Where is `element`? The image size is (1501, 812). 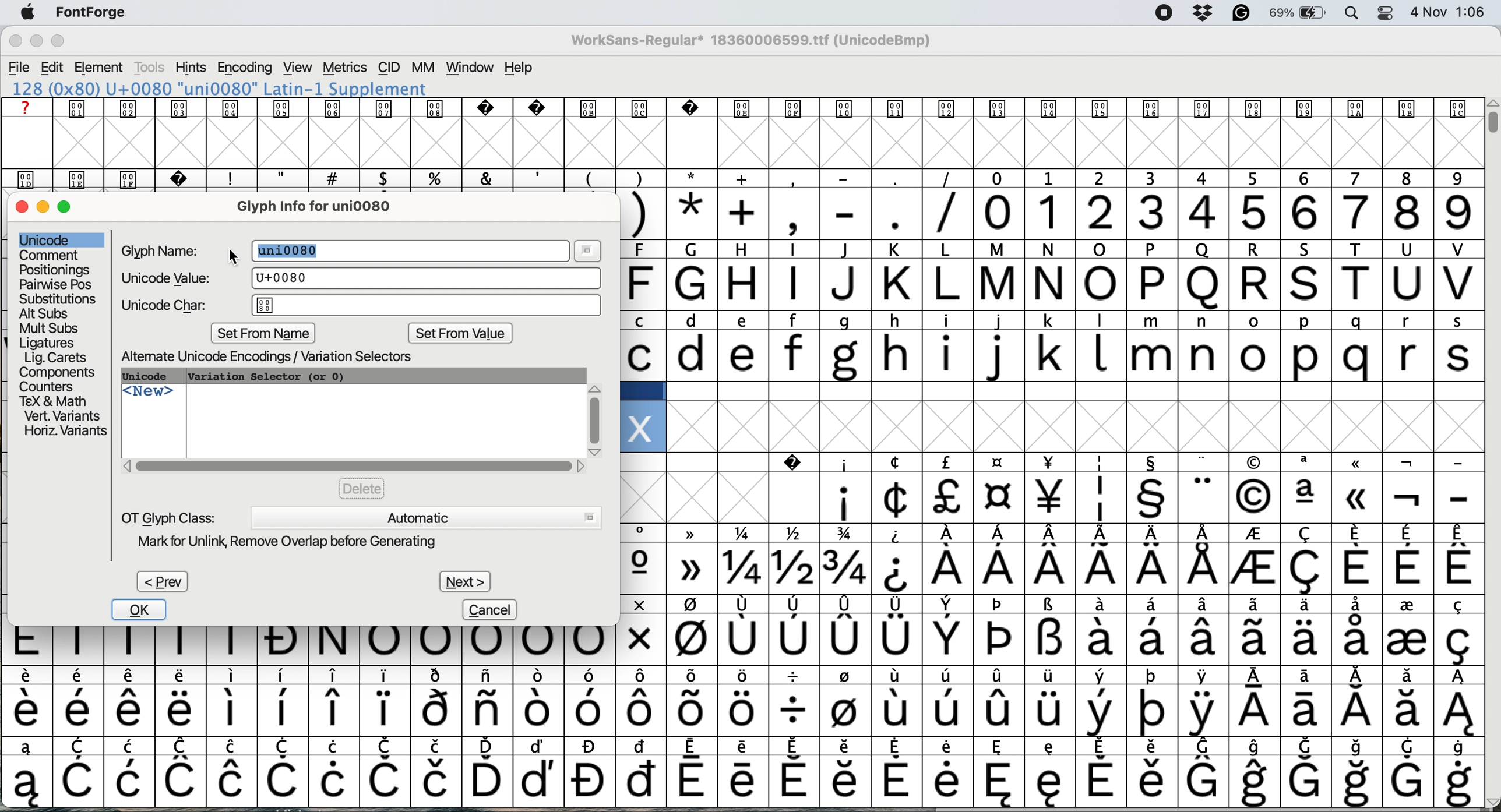 element is located at coordinates (101, 68).